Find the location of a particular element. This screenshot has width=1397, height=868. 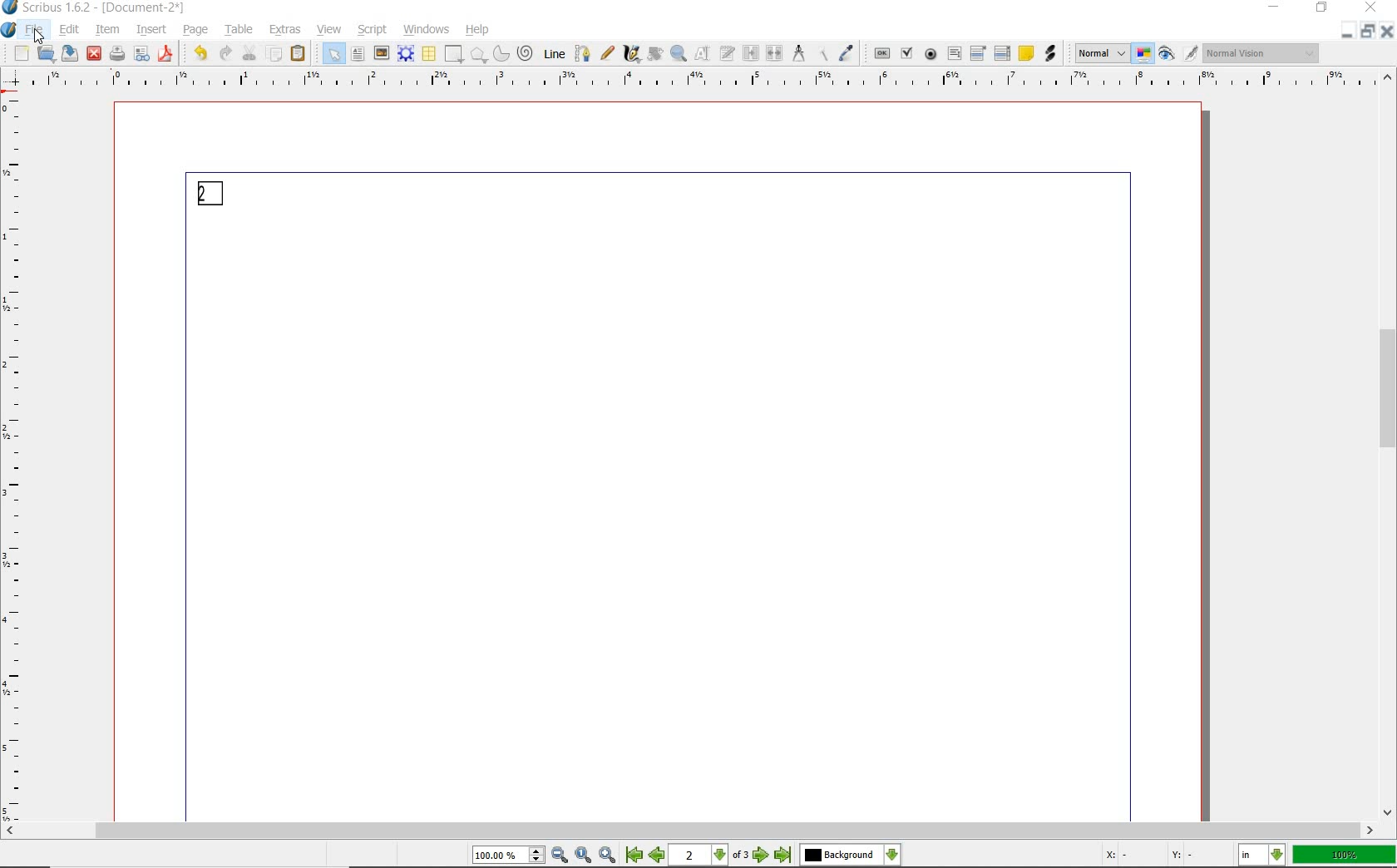

file is located at coordinates (36, 31).